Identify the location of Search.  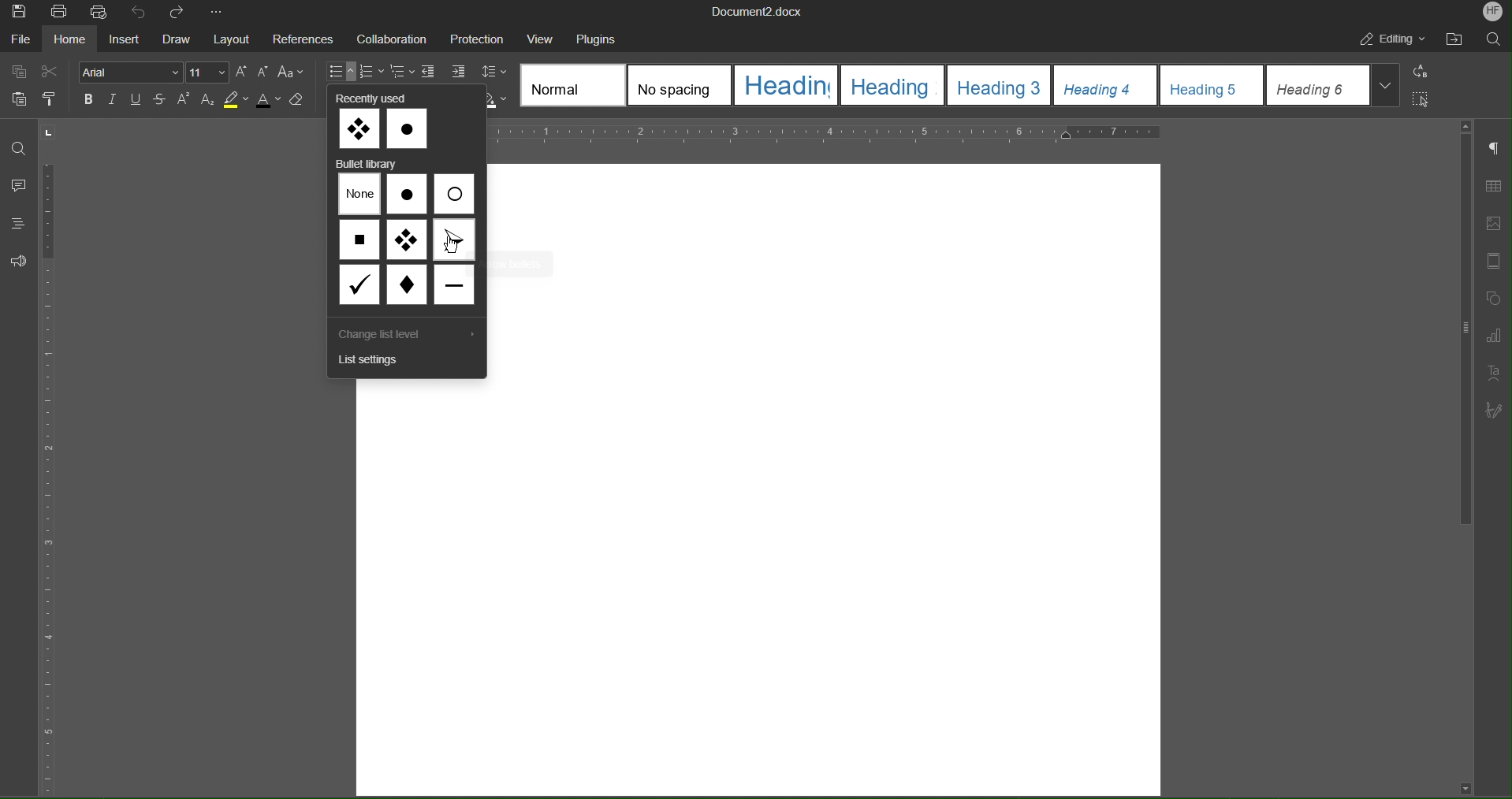
(1493, 38).